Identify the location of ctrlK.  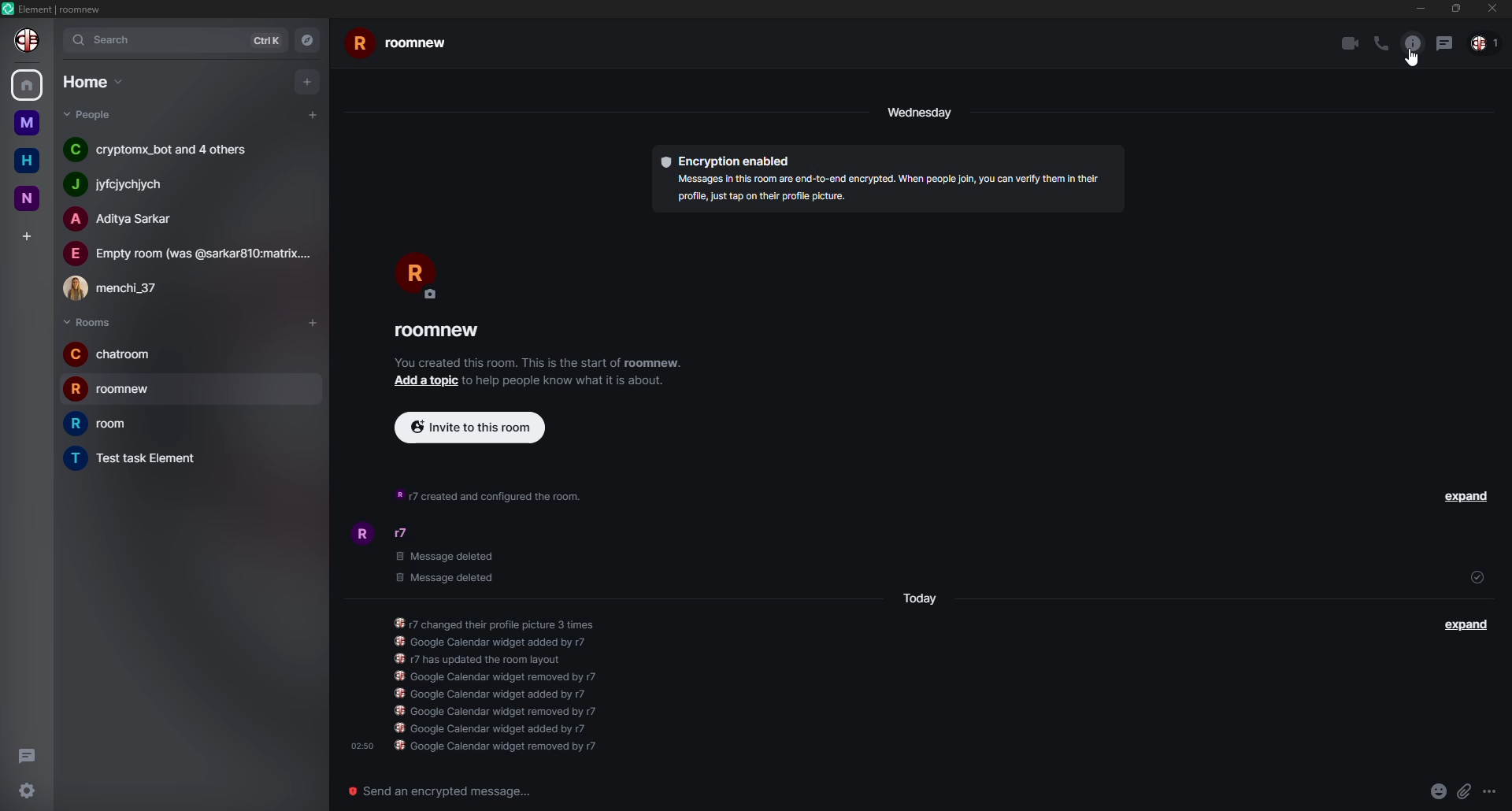
(267, 39).